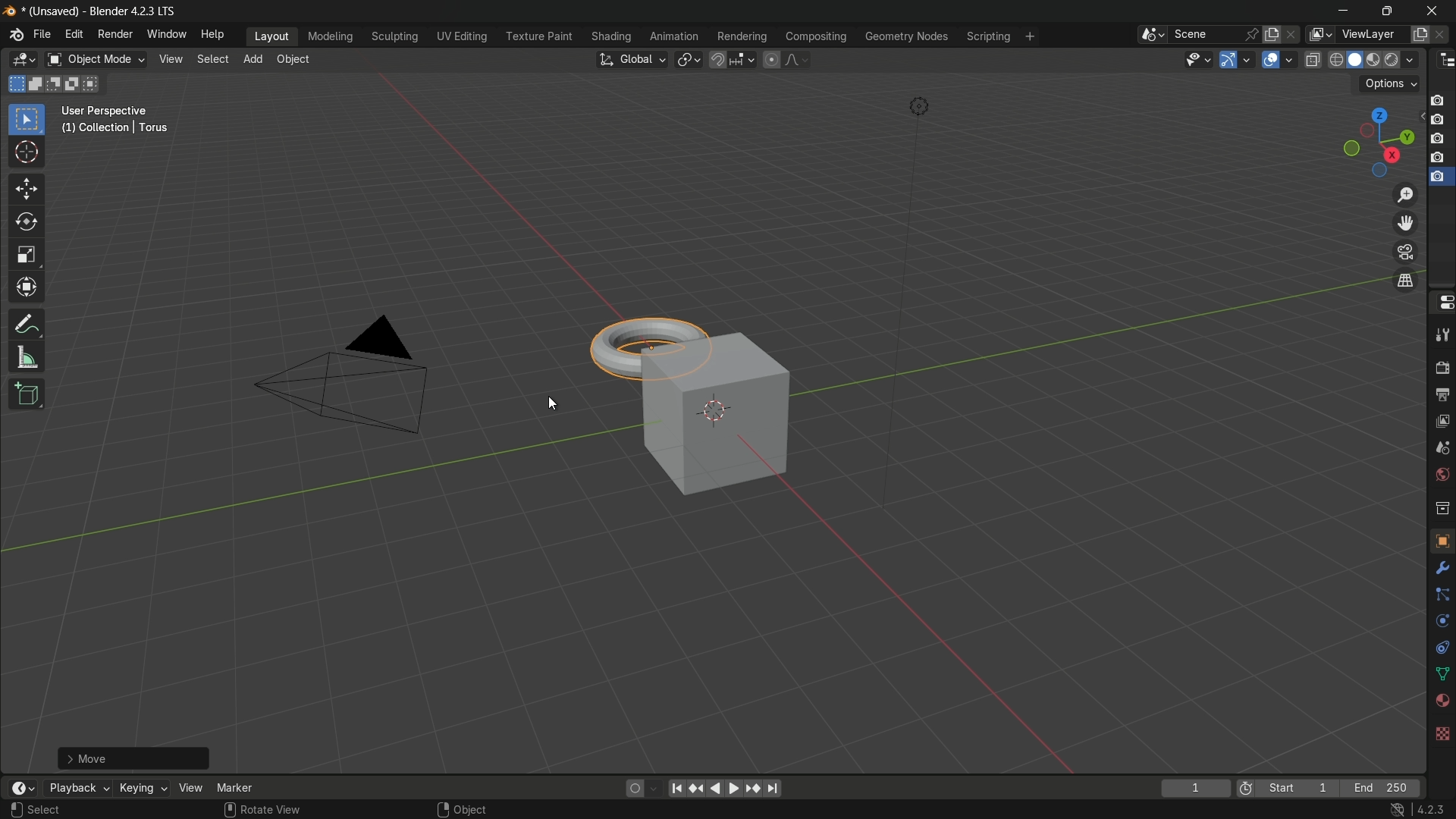  I want to click on shading, so click(610, 36).